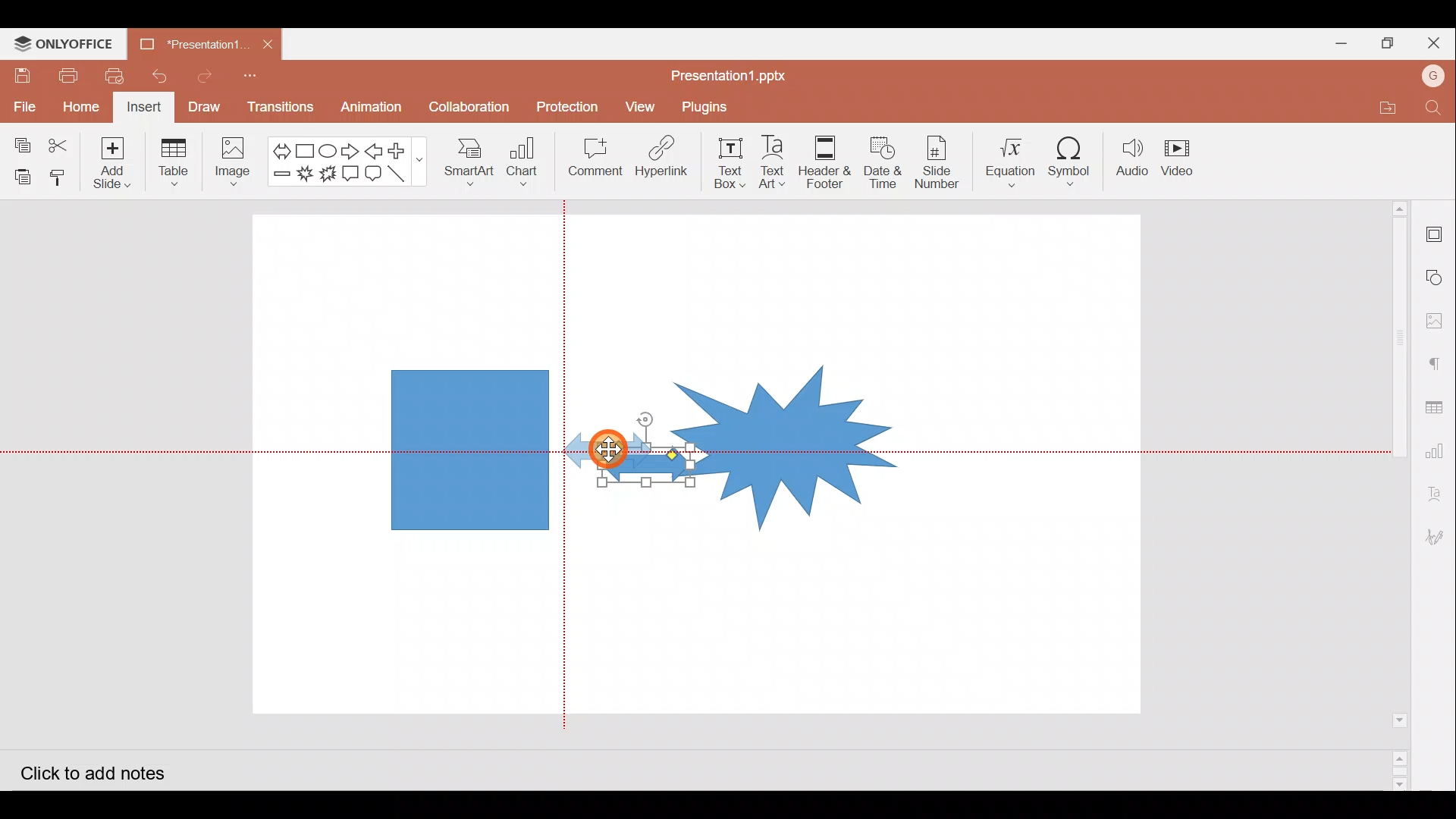 This screenshot has width=1456, height=819. Describe the element at coordinates (372, 108) in the screenshot. I see `Animation` at that location.